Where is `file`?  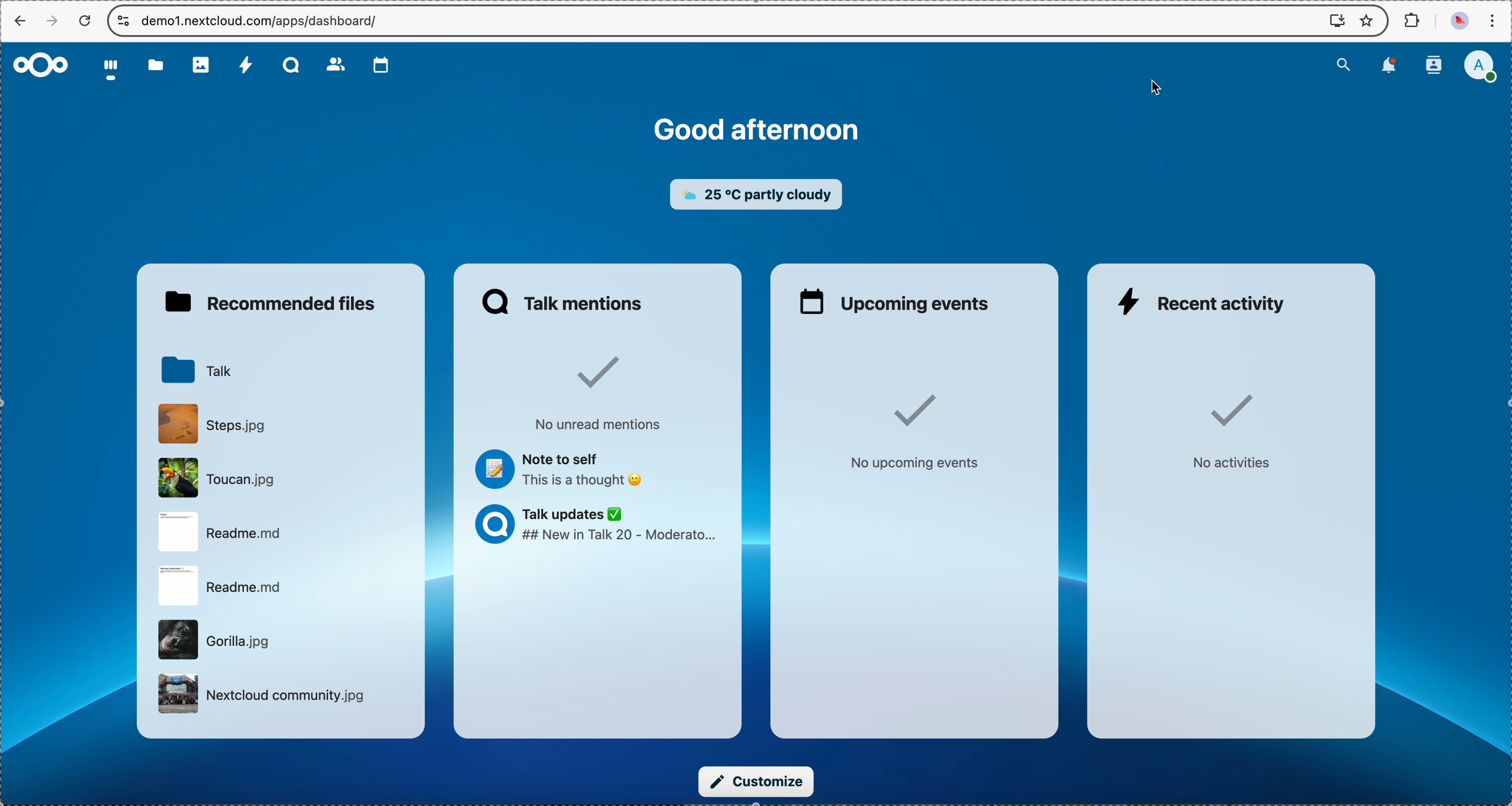 file is located at coordinates (223, 532).